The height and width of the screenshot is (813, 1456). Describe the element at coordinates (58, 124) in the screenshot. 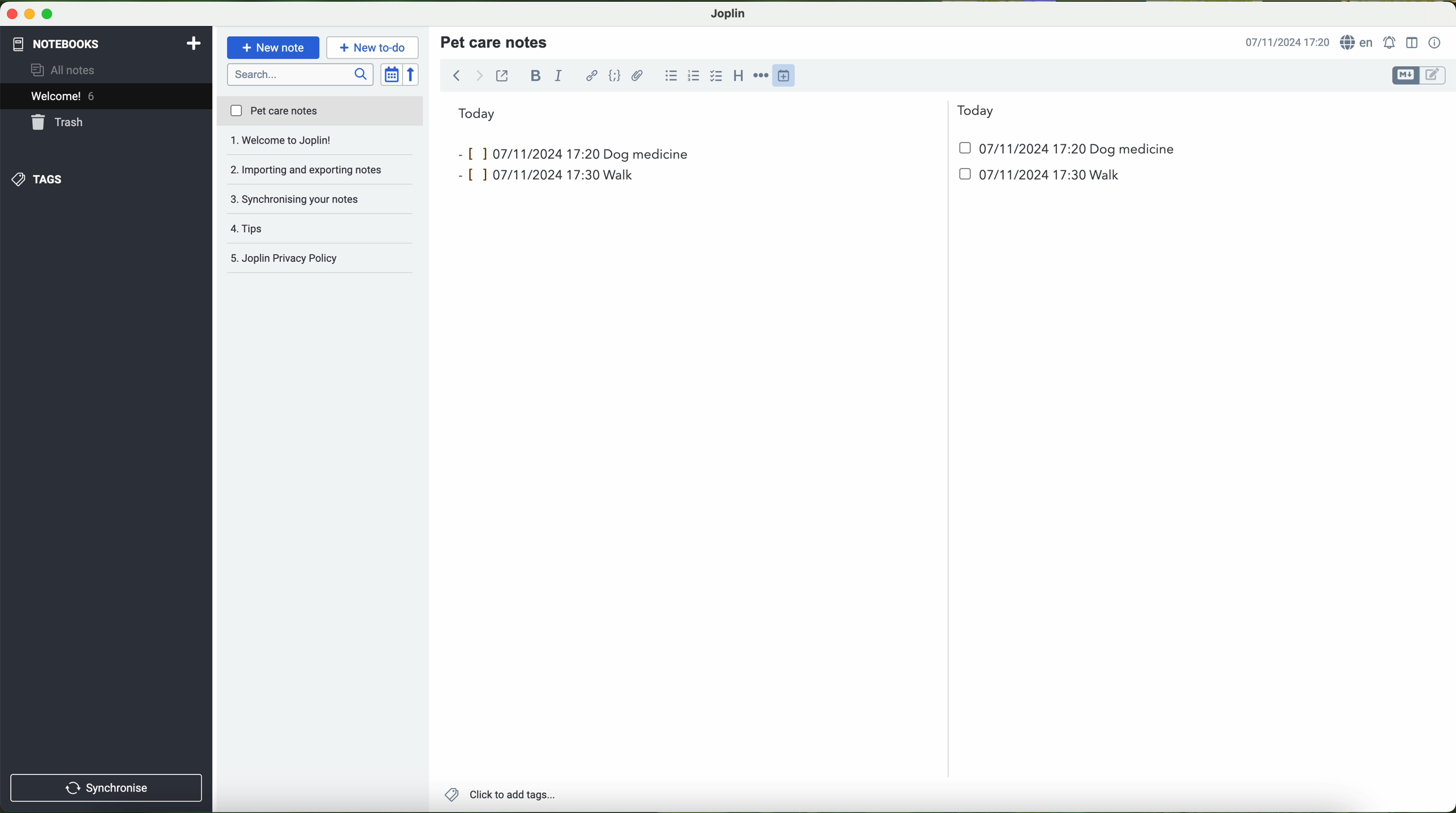

I see `trash` at that location.